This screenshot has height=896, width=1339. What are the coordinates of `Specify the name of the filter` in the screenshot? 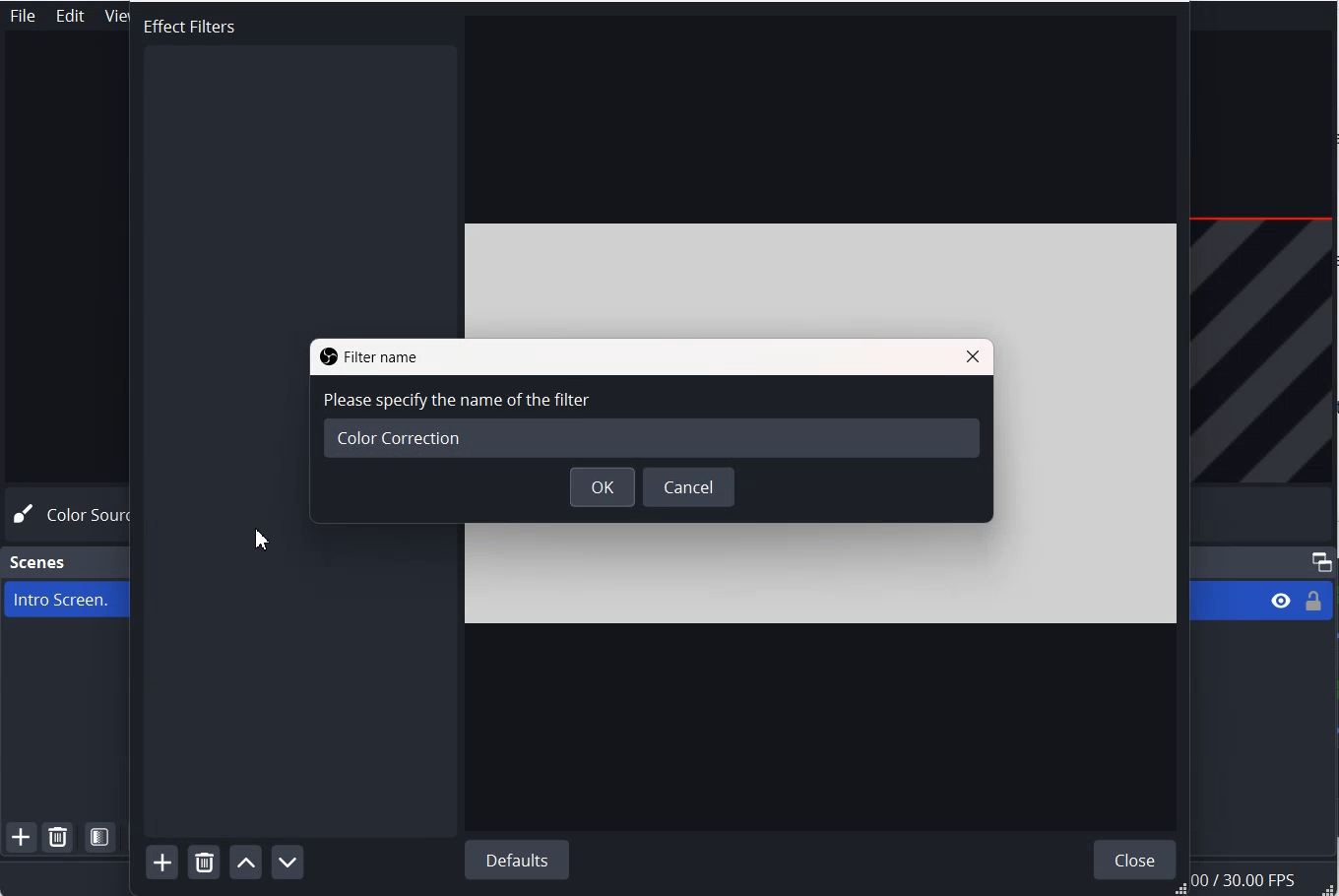 It's located at (651, 425).